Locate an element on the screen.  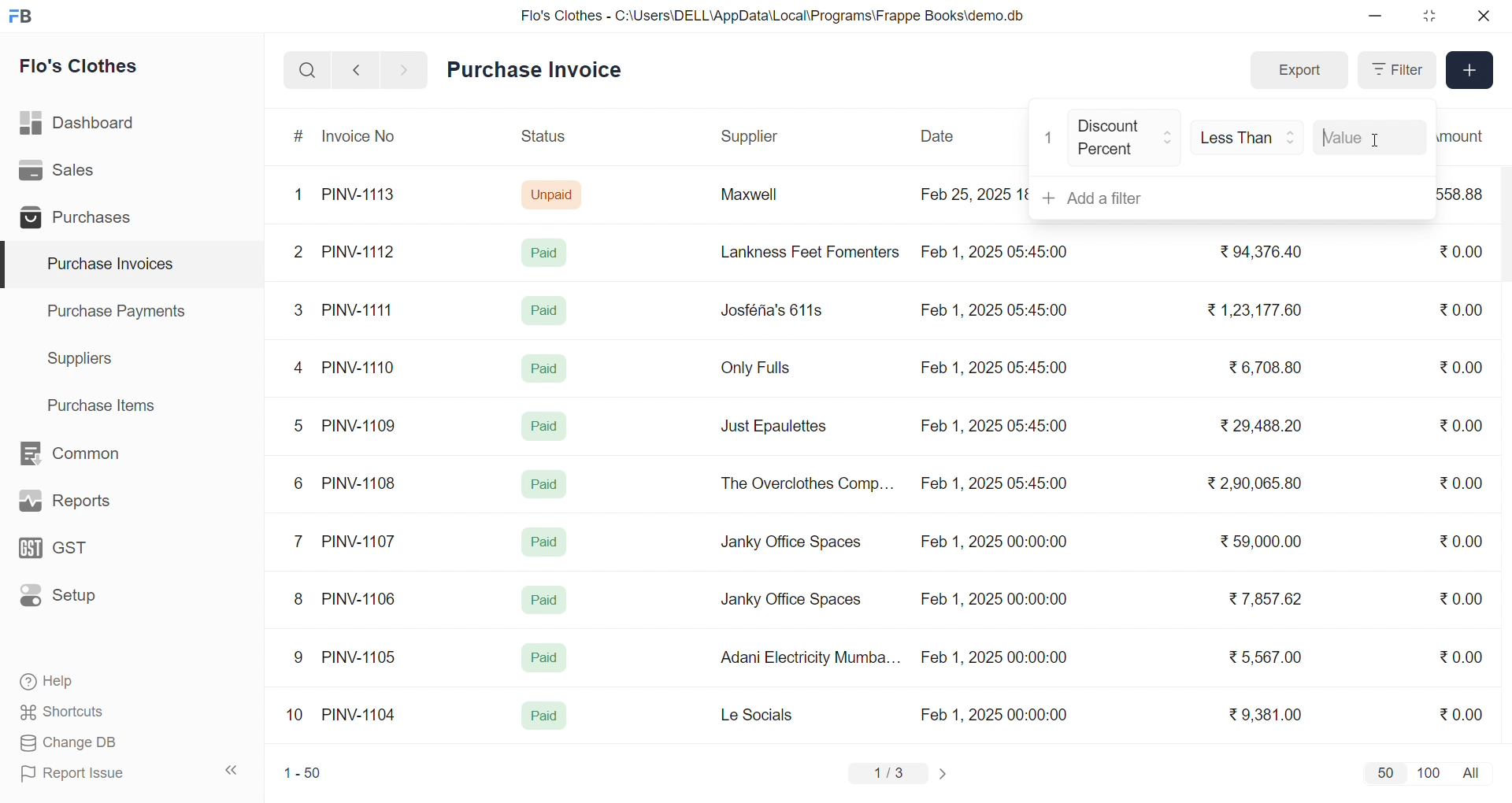
₹0.00 is located at coordinates (1463, 309).